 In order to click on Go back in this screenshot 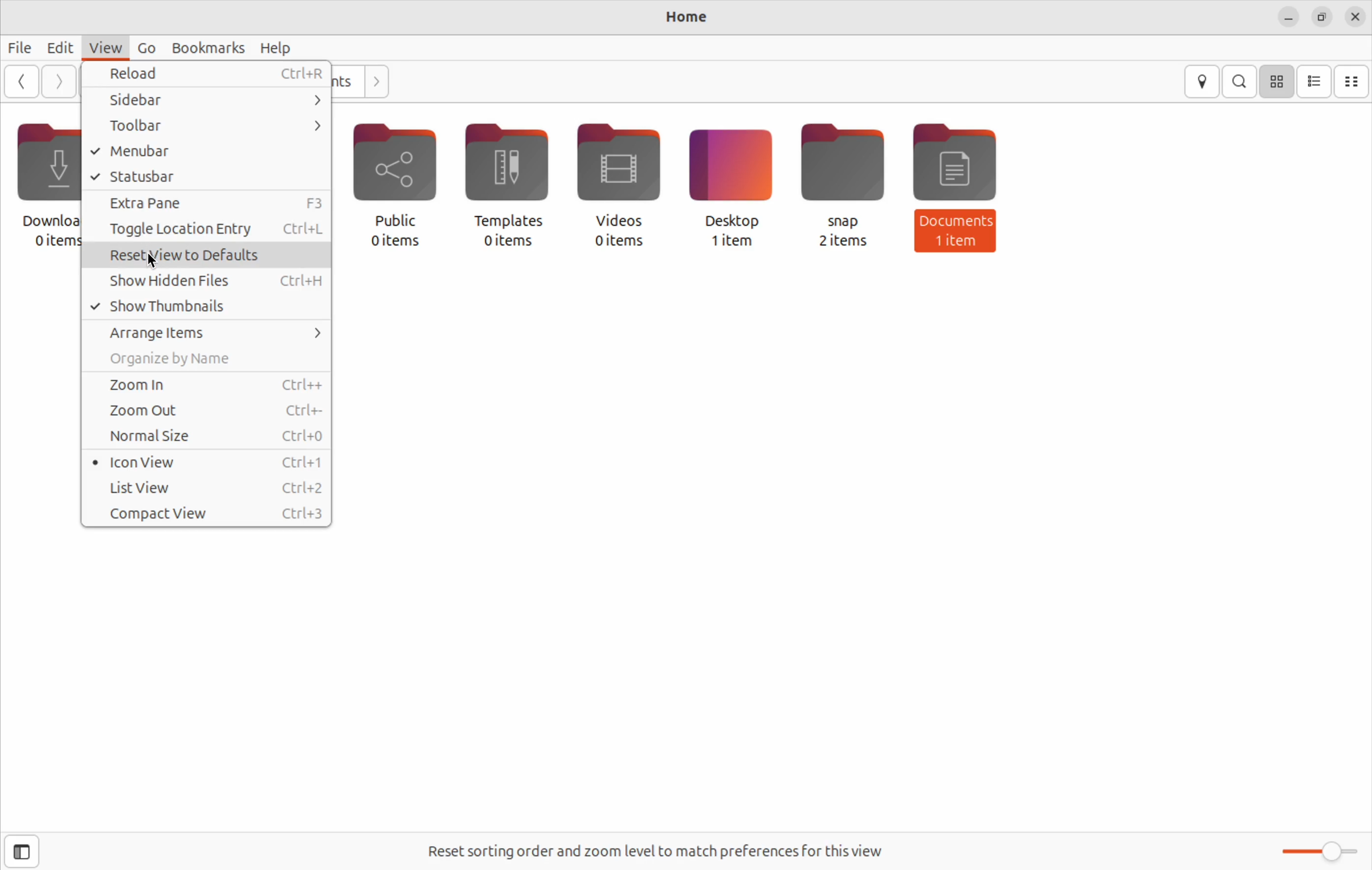, I will do `click(21, 83)`.